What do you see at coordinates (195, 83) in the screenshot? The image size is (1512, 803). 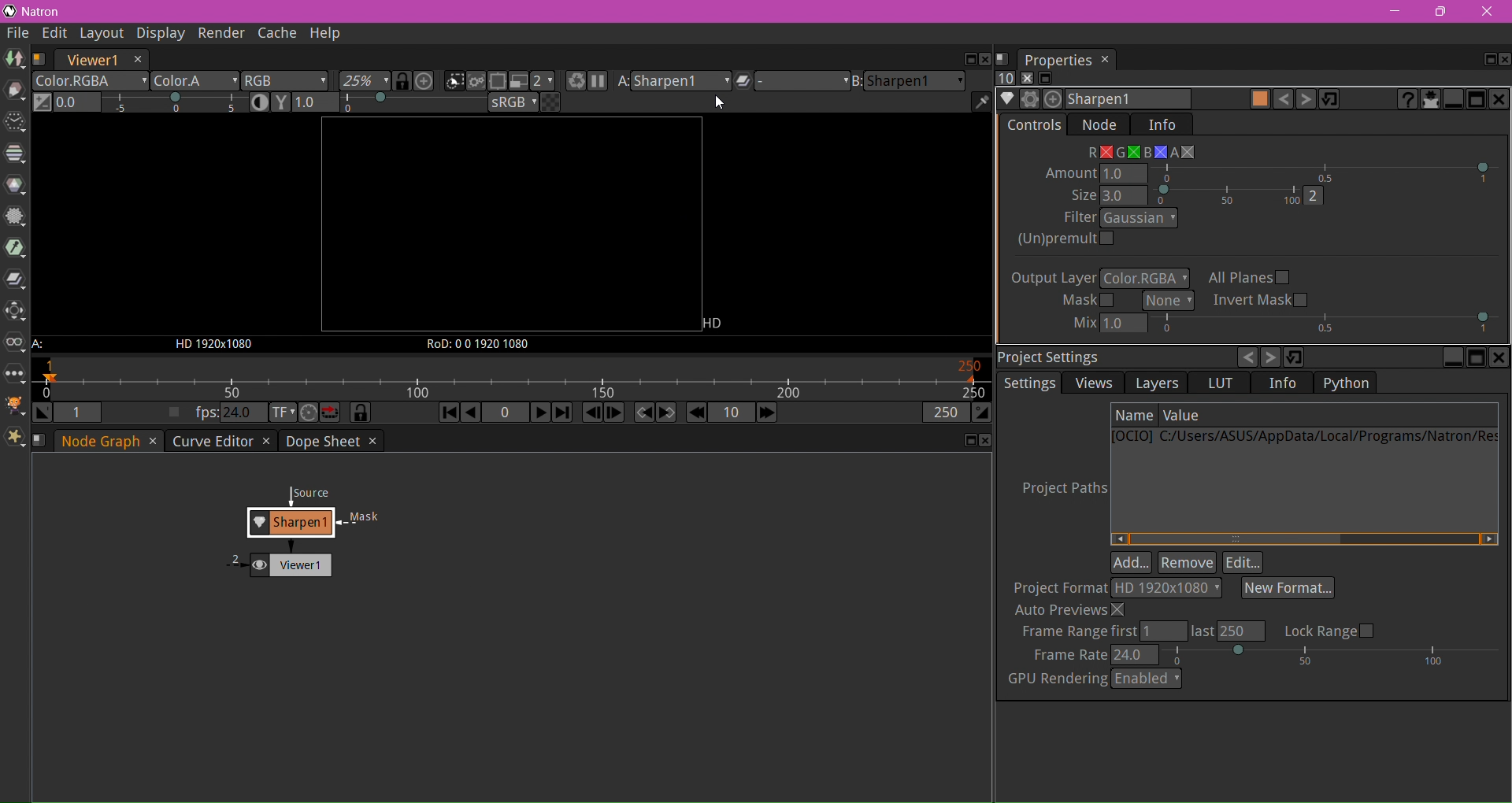 I see `Alpha channel` at bounding box center [195, 83].